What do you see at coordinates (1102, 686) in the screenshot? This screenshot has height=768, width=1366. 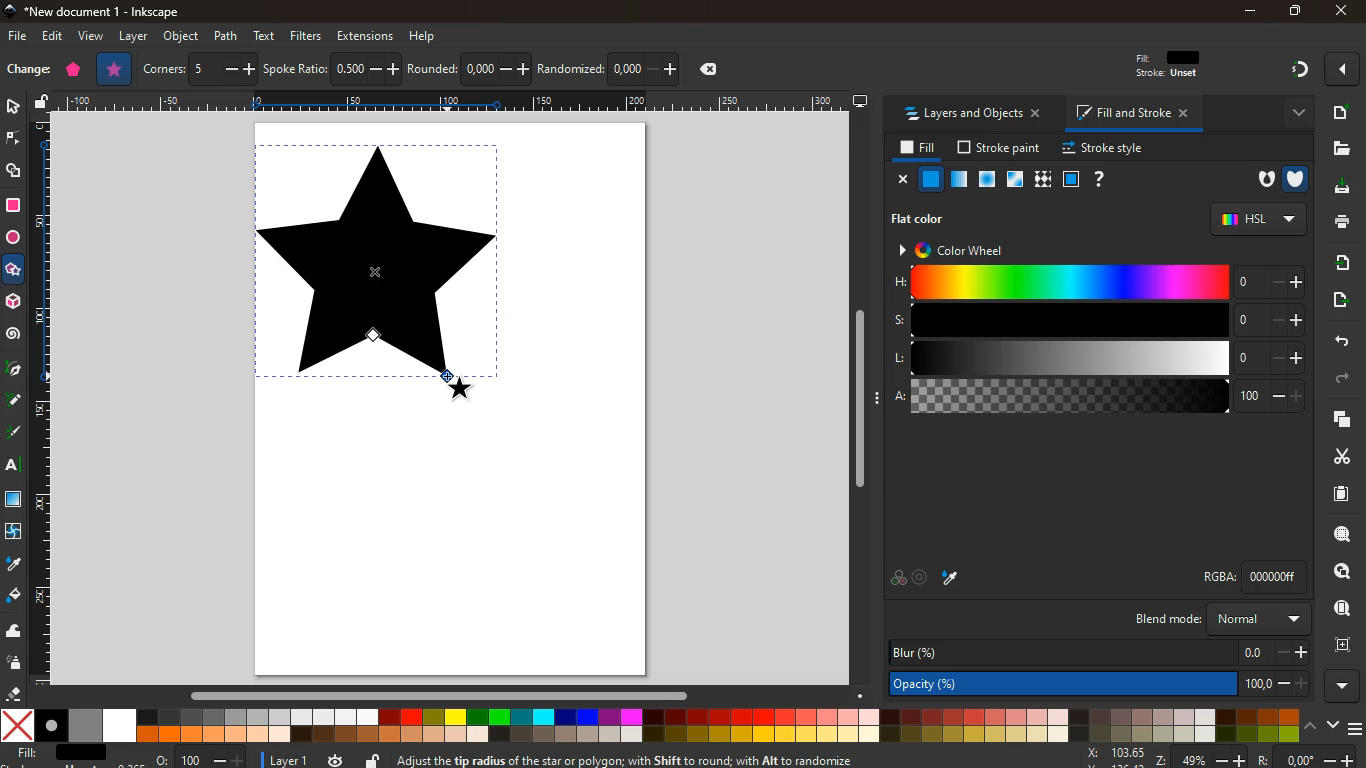 I see `opacity` at bounding box center [1102, 686].